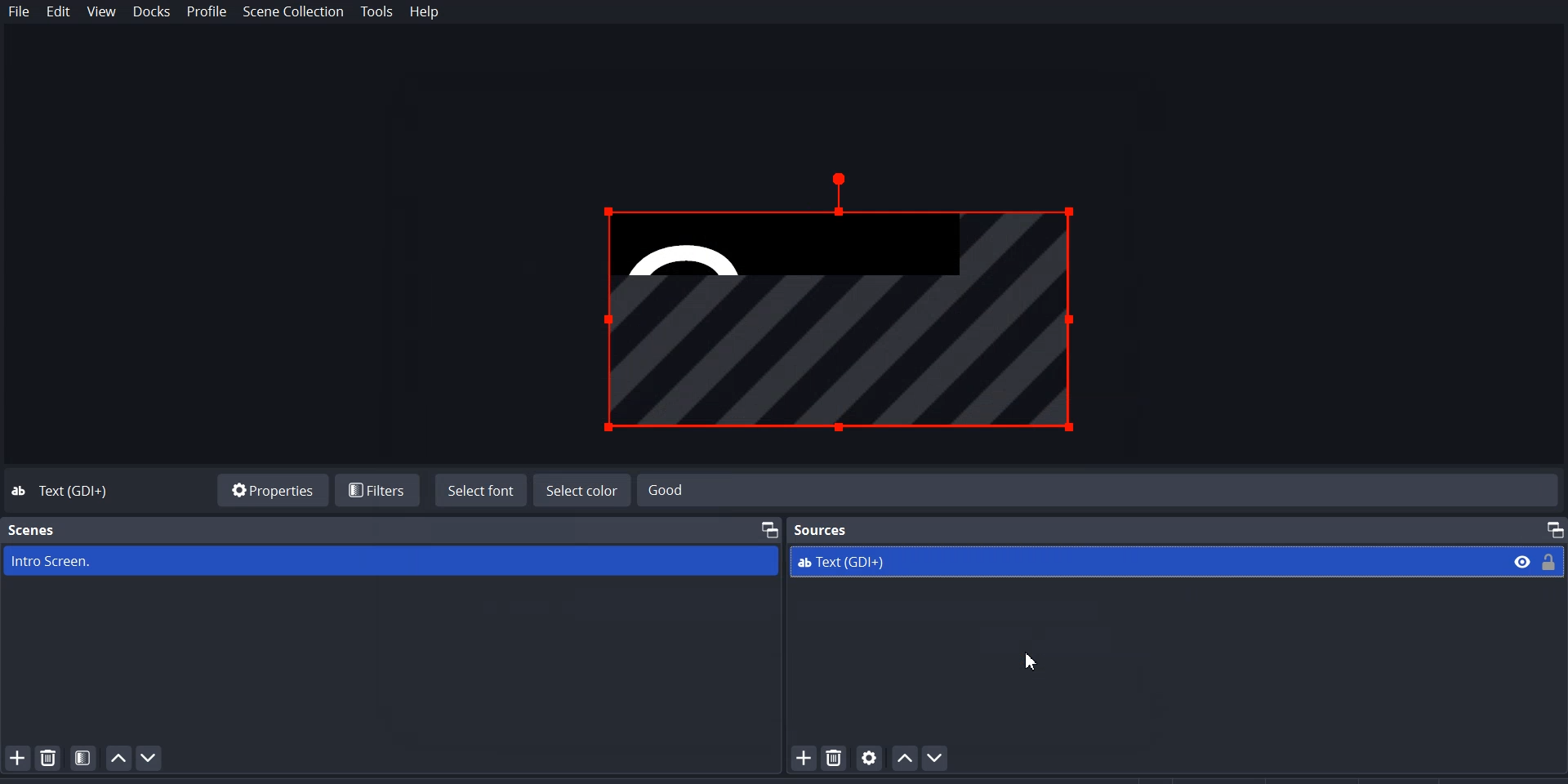 Image resolution: width=1568 pixels, height=784 pixels. I want to click on Edit, so click(59, 13).